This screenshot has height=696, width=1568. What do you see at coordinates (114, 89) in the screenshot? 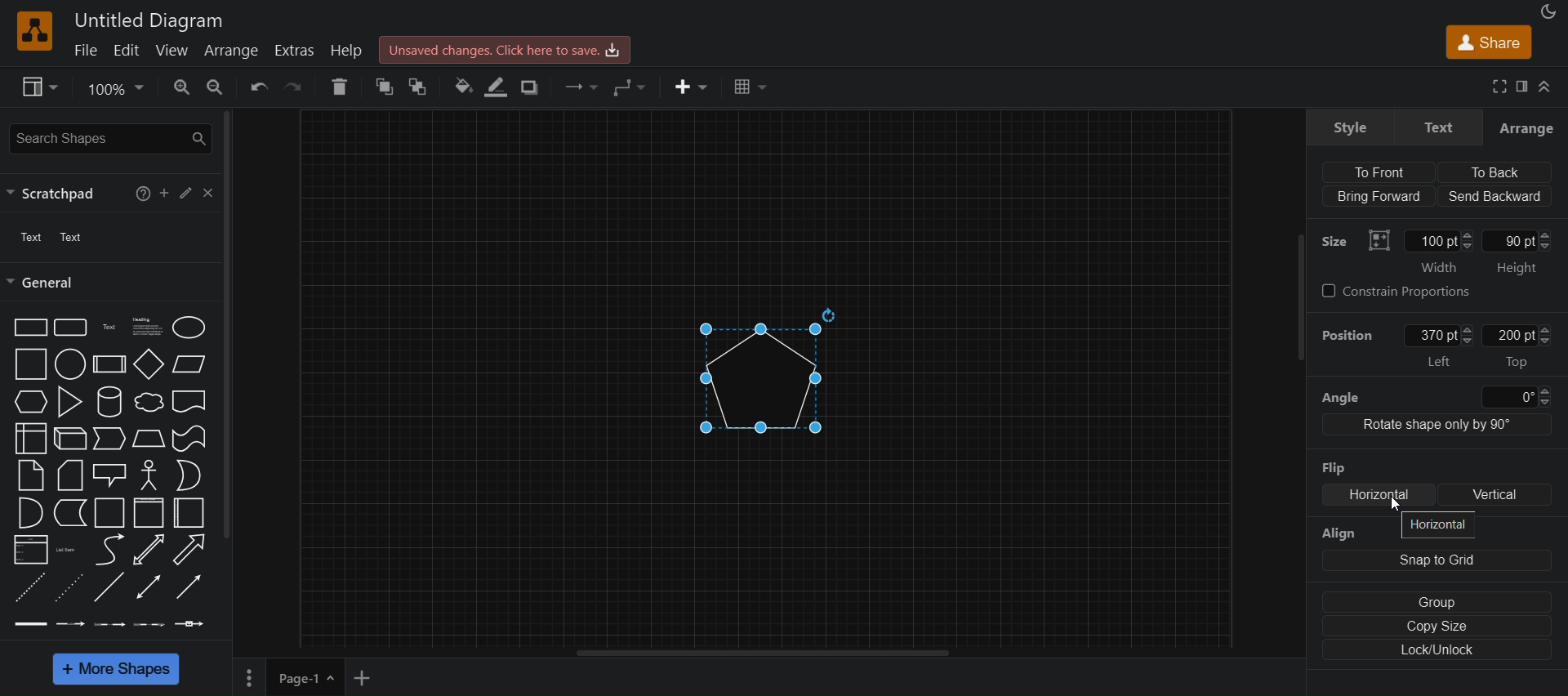
I see `zoom options` at bounding box center [114, 89].